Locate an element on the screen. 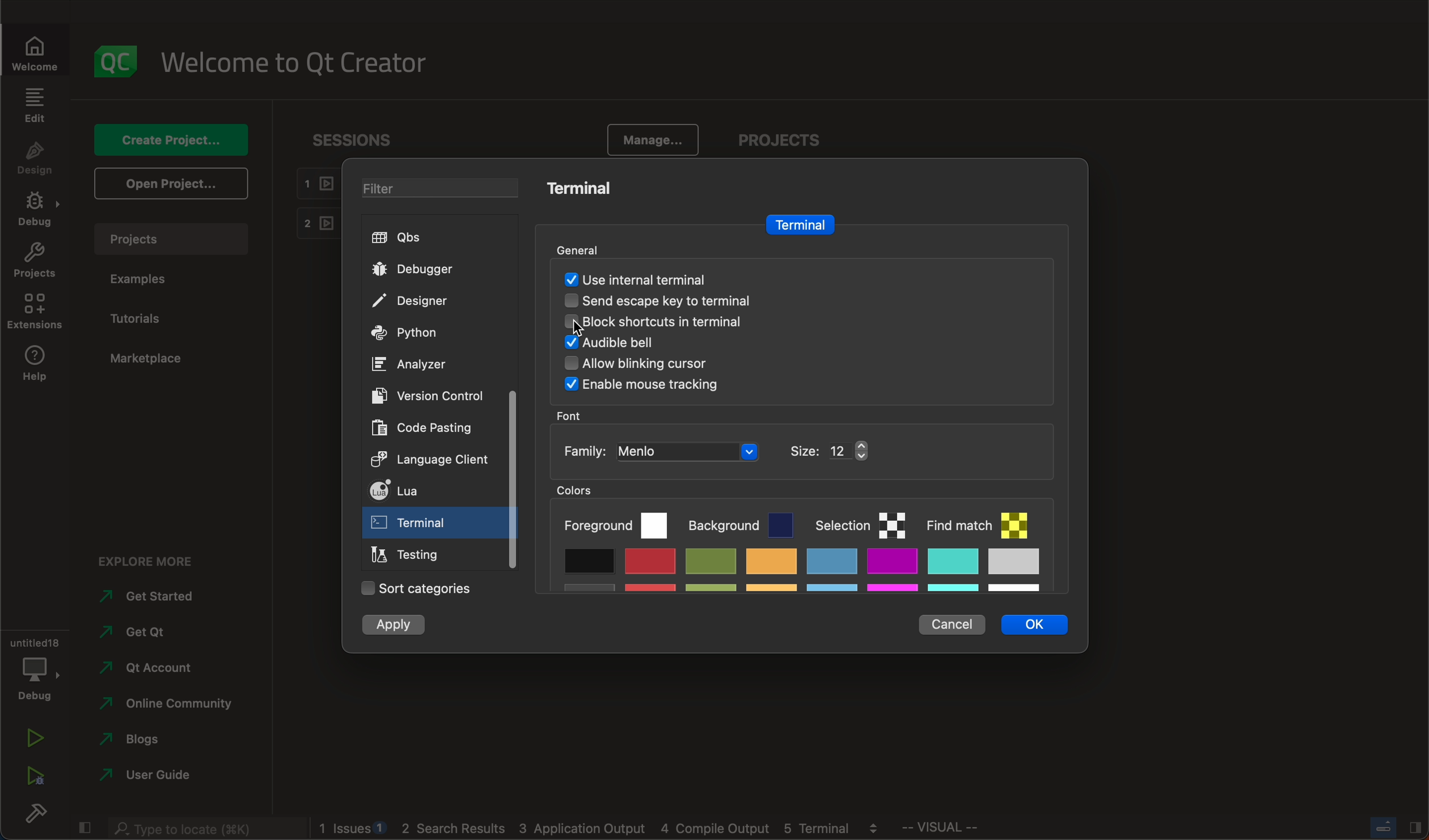  python is located at coordinates (412, 334).